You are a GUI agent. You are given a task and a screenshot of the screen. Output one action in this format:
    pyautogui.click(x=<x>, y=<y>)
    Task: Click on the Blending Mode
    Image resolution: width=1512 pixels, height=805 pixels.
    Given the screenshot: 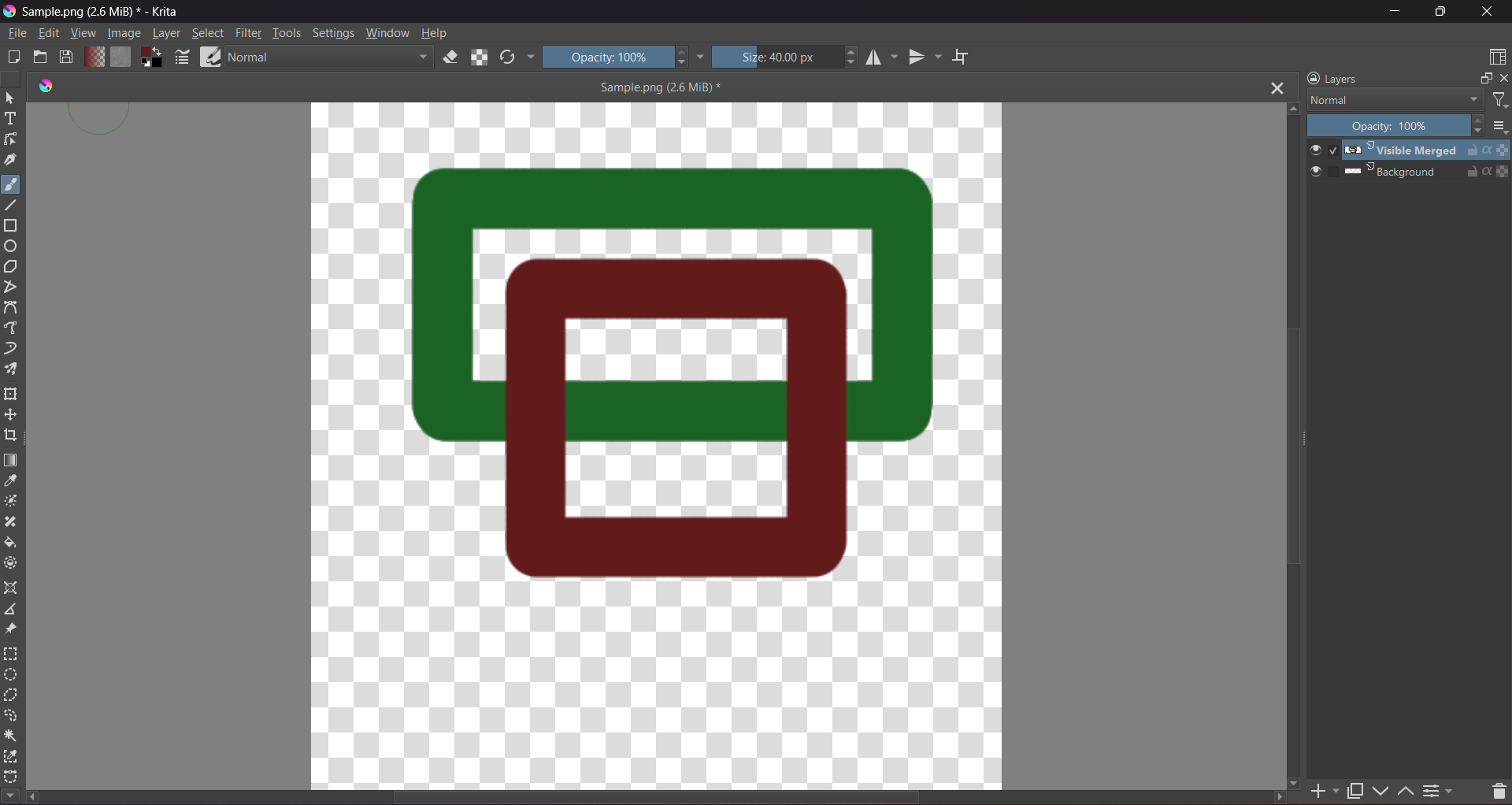 What is the action you would take?
    pyautogui.click(x=1393, y=100)
    